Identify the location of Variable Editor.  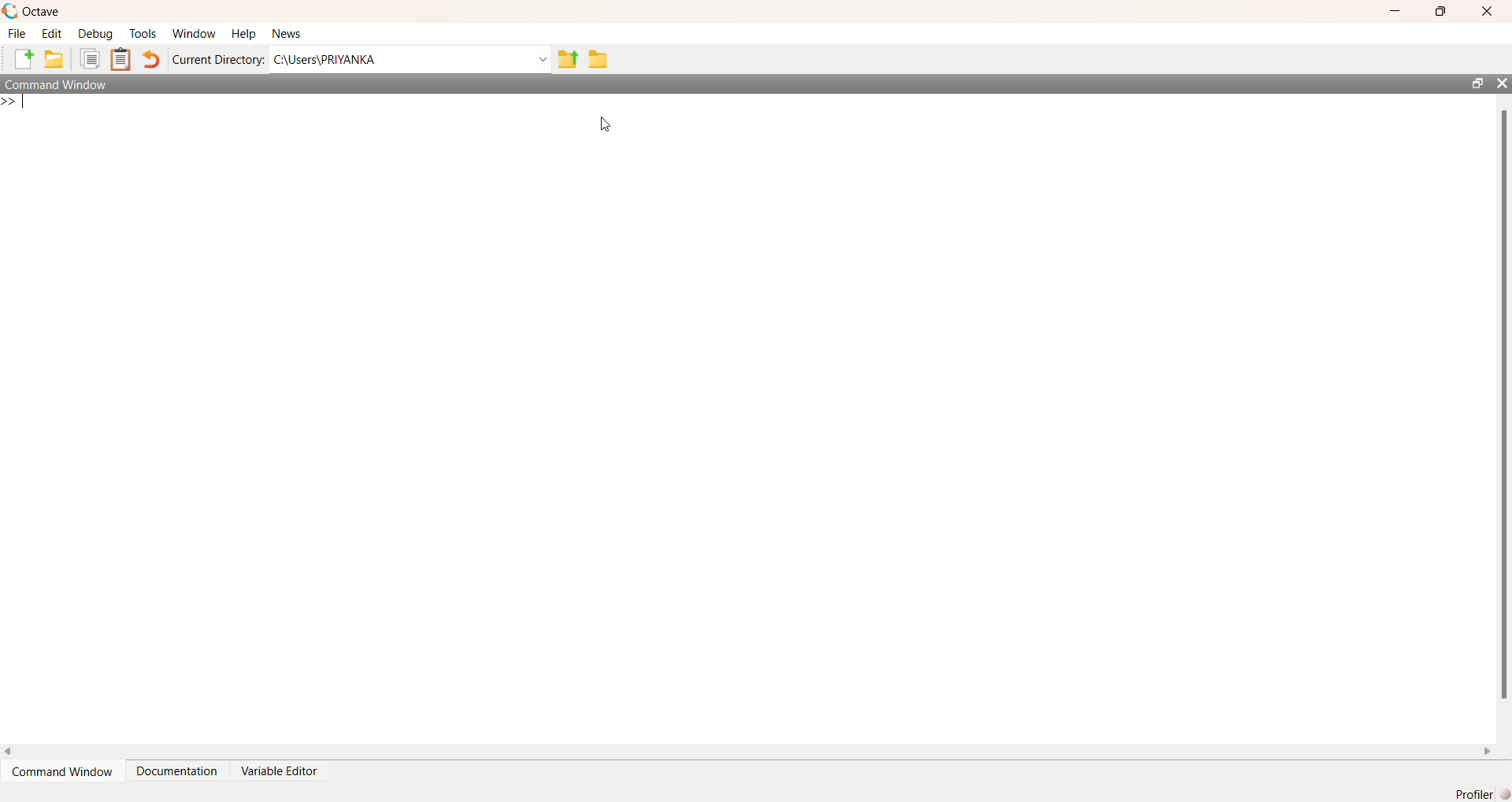
(280, 770).